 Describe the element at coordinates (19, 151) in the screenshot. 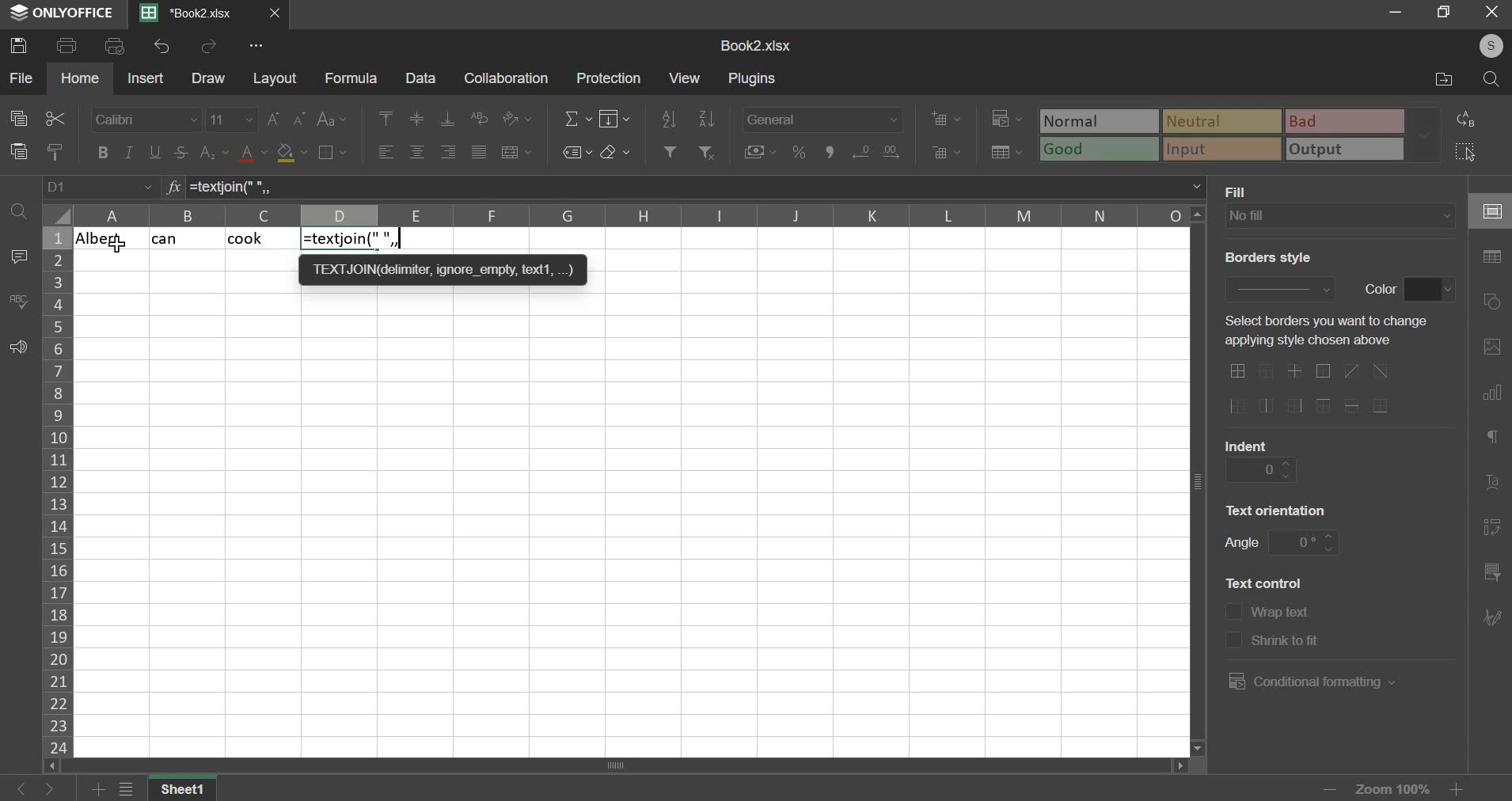

I see `paste` at that location.